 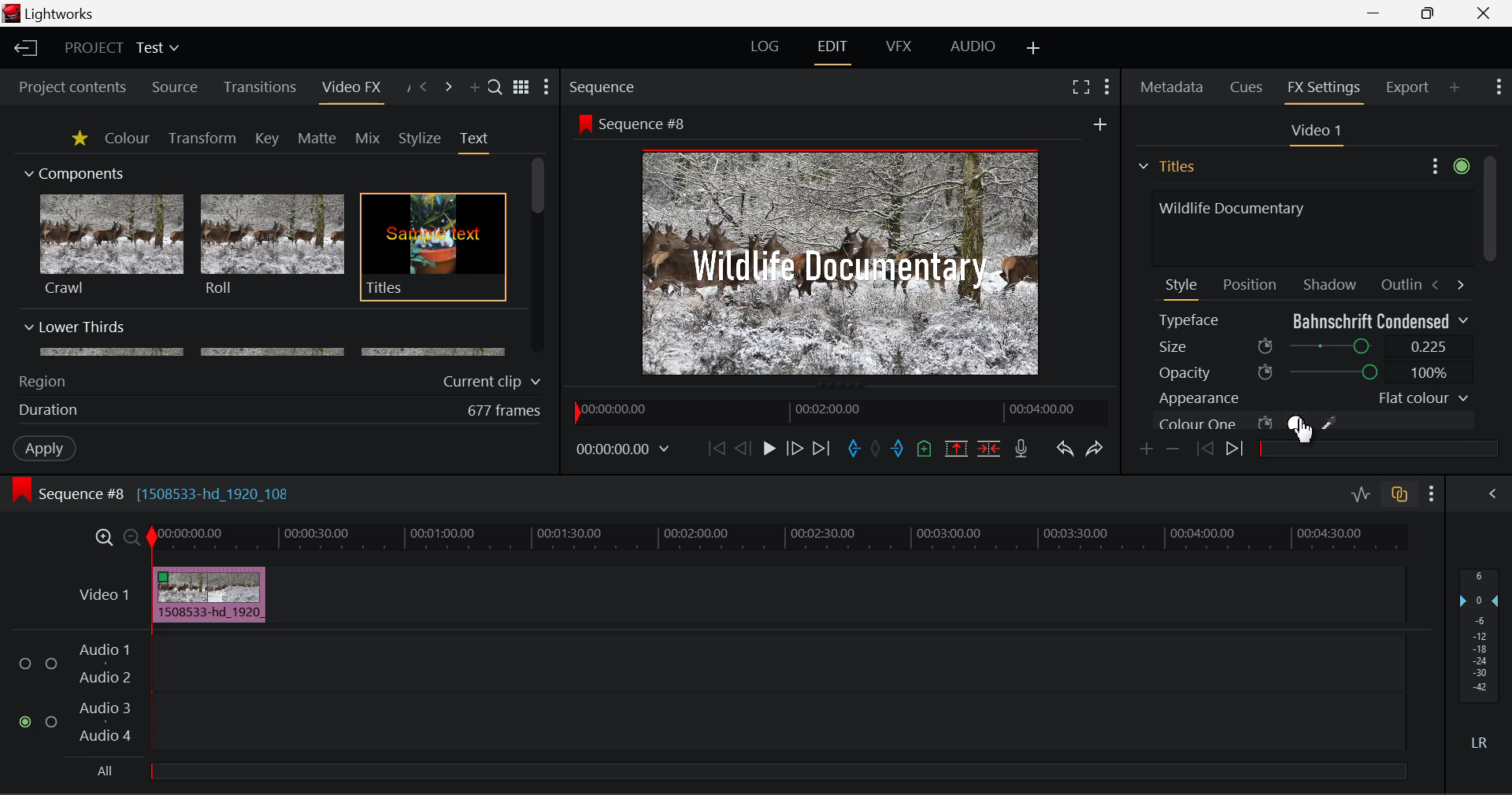 I want to click on VFX Layout, so click(x=898, y=46).